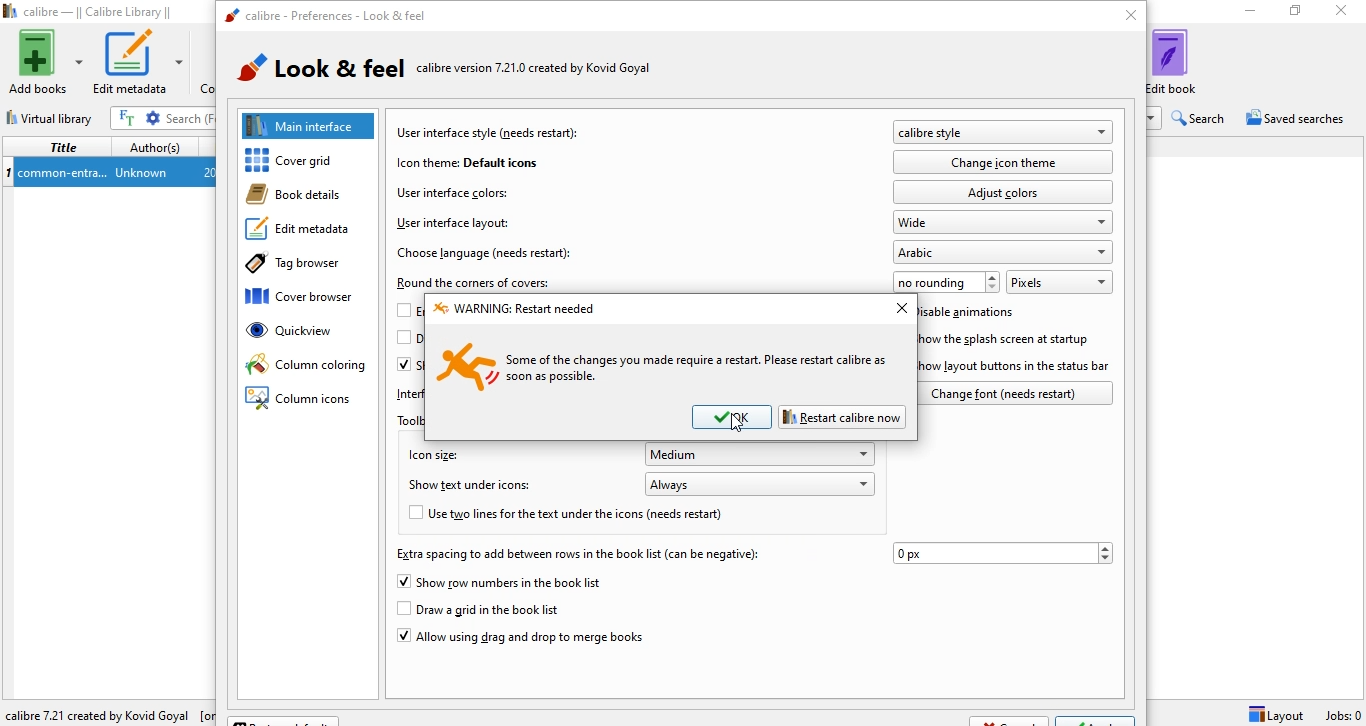  I want to click on medium, so click(762, 454).